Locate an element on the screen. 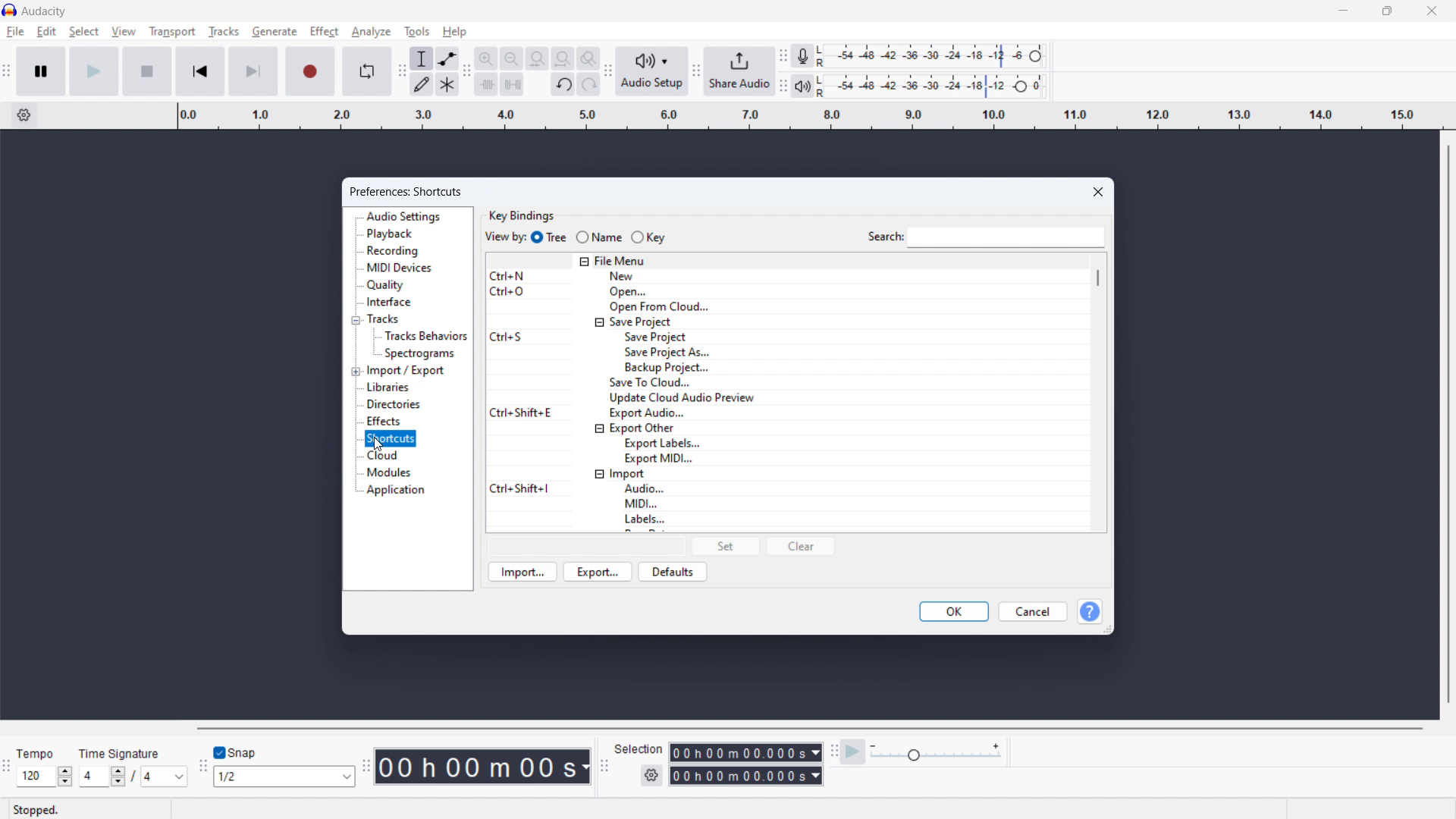 The height and width of the screenshot is (819, 1456). stop is located at coordinates (147, 71).